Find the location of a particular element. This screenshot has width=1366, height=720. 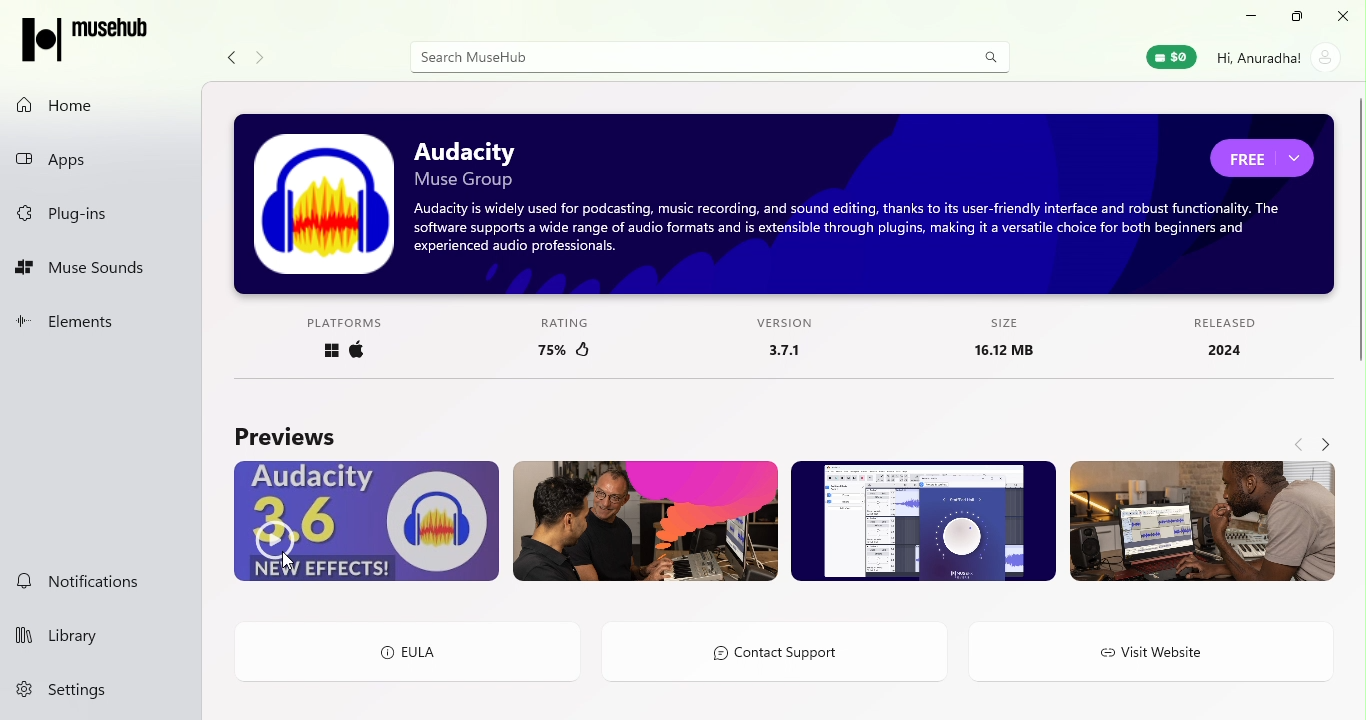

Preview is located at coordinates (1202, 524).